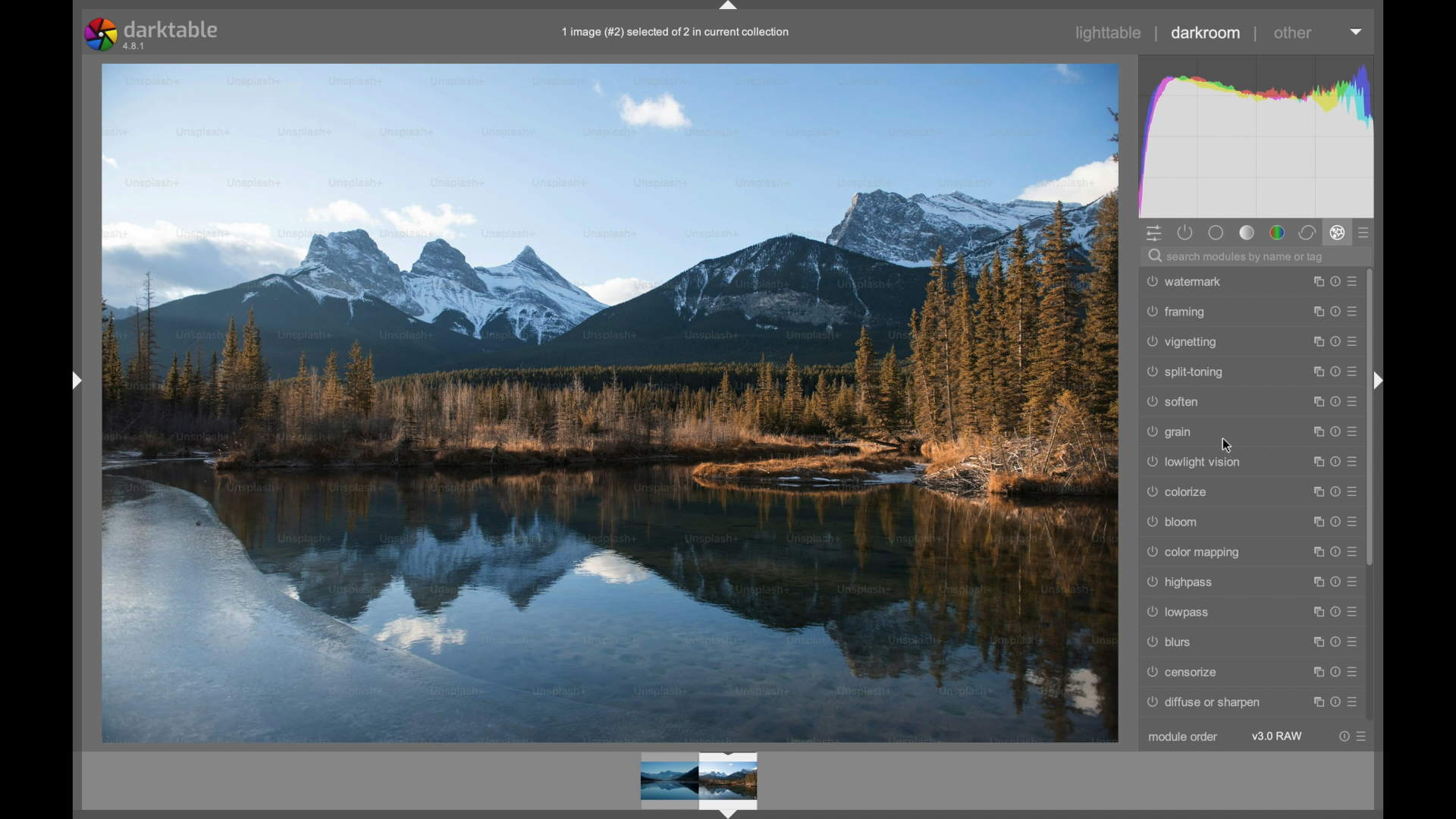 This screenshot has width=1456, height=819. I want to click on presets, so click(1356, 431).